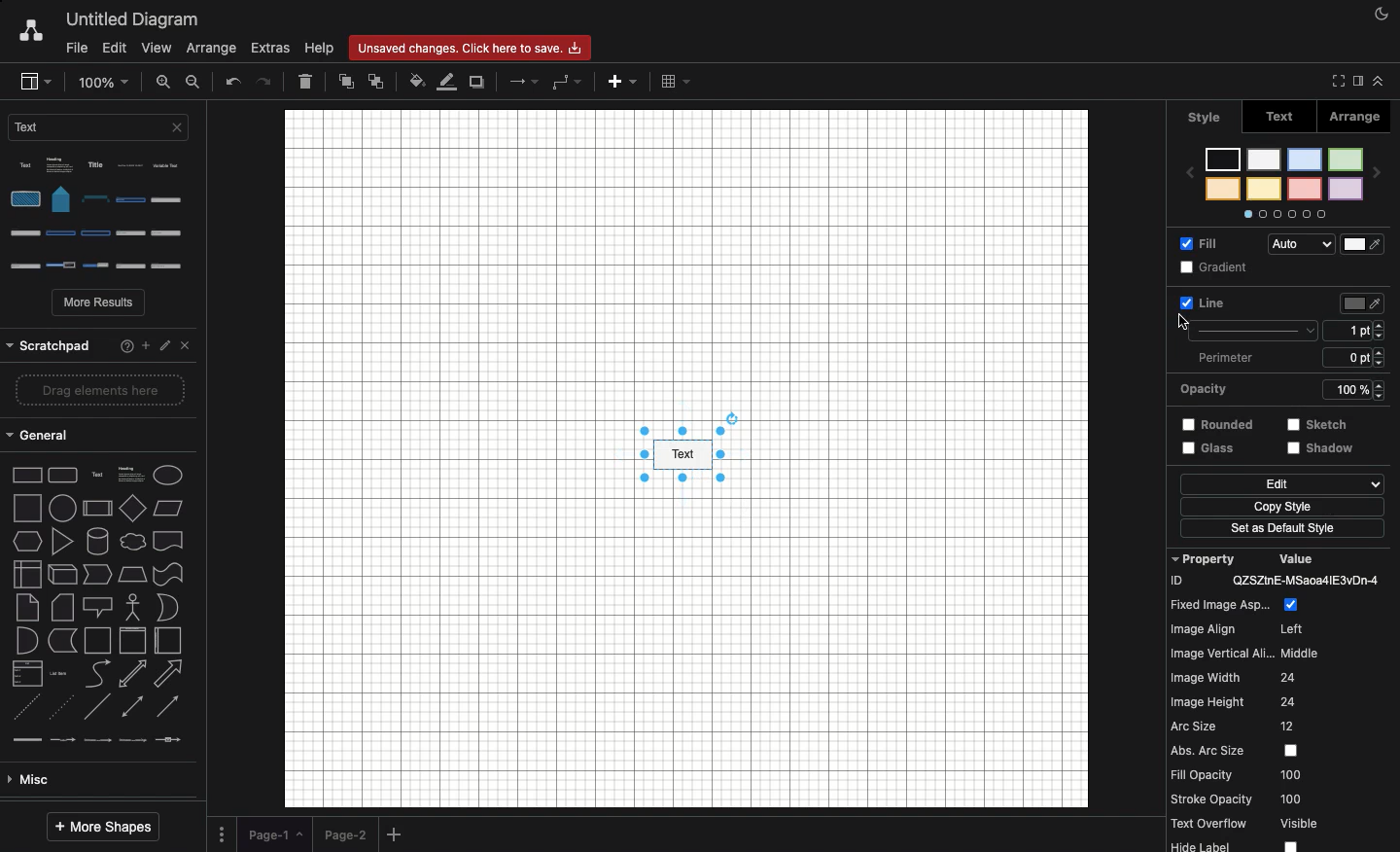 Image resolution: width=1400 pixels, height=852 pixels. Describe the element at coordinates (1335, 81) in the screenshot. I see `Fullscreen` at that location.